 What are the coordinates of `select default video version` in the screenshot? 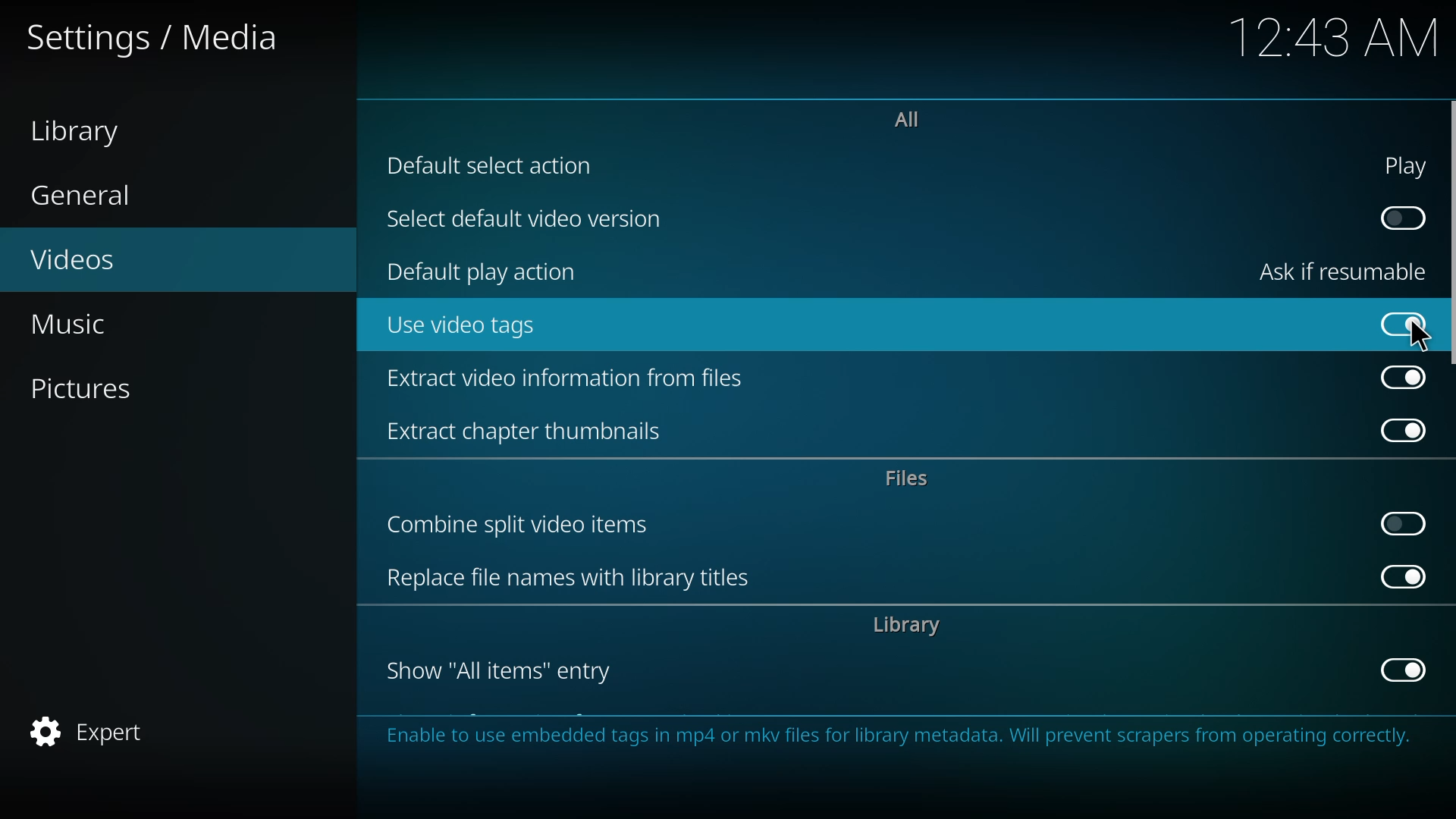 It's located at (535, 220).